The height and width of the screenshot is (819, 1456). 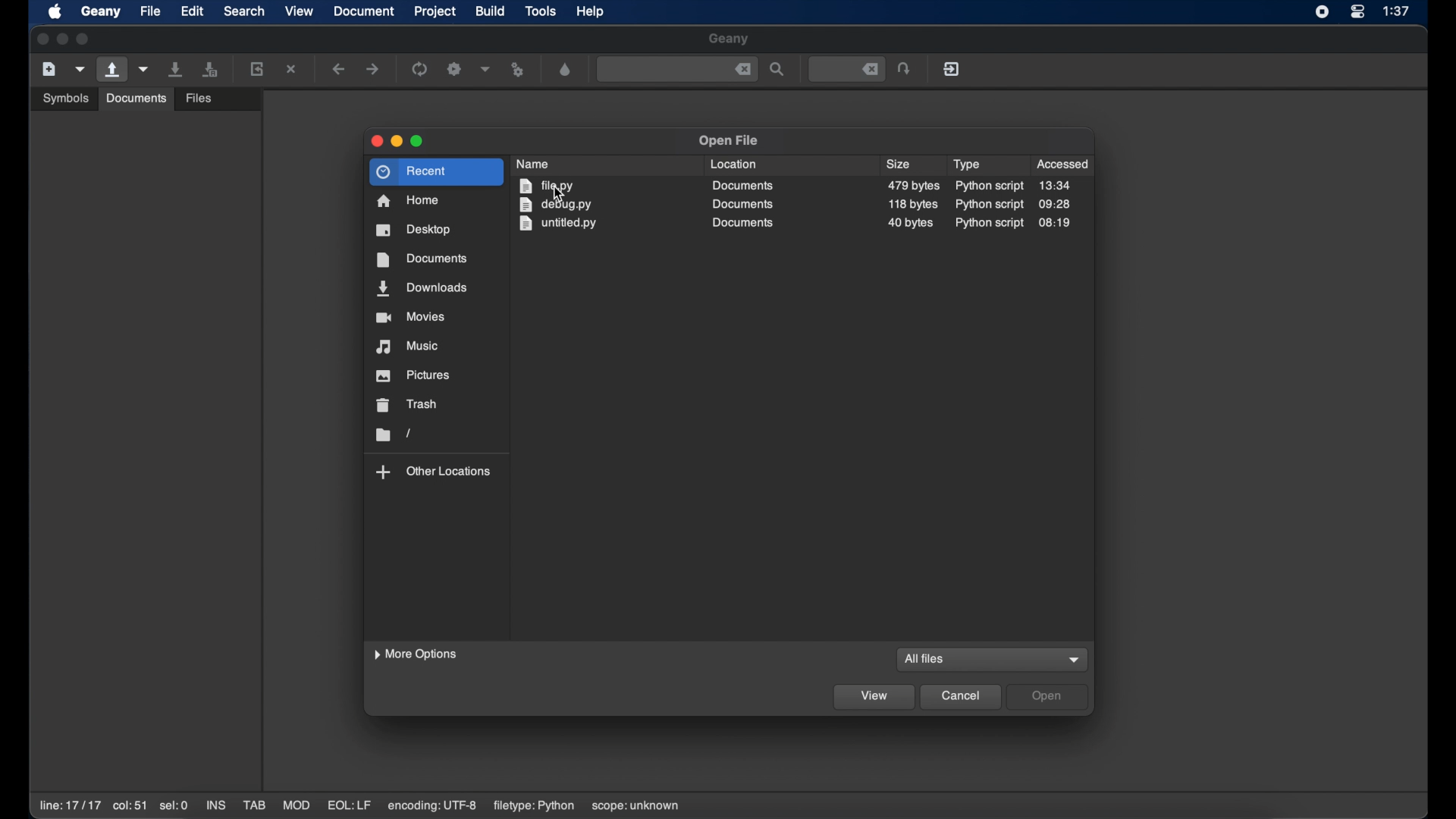 What do you see at coordinates (554, 206) in the screenshot?
I see `debug.py` at bounding box center [554, 206].